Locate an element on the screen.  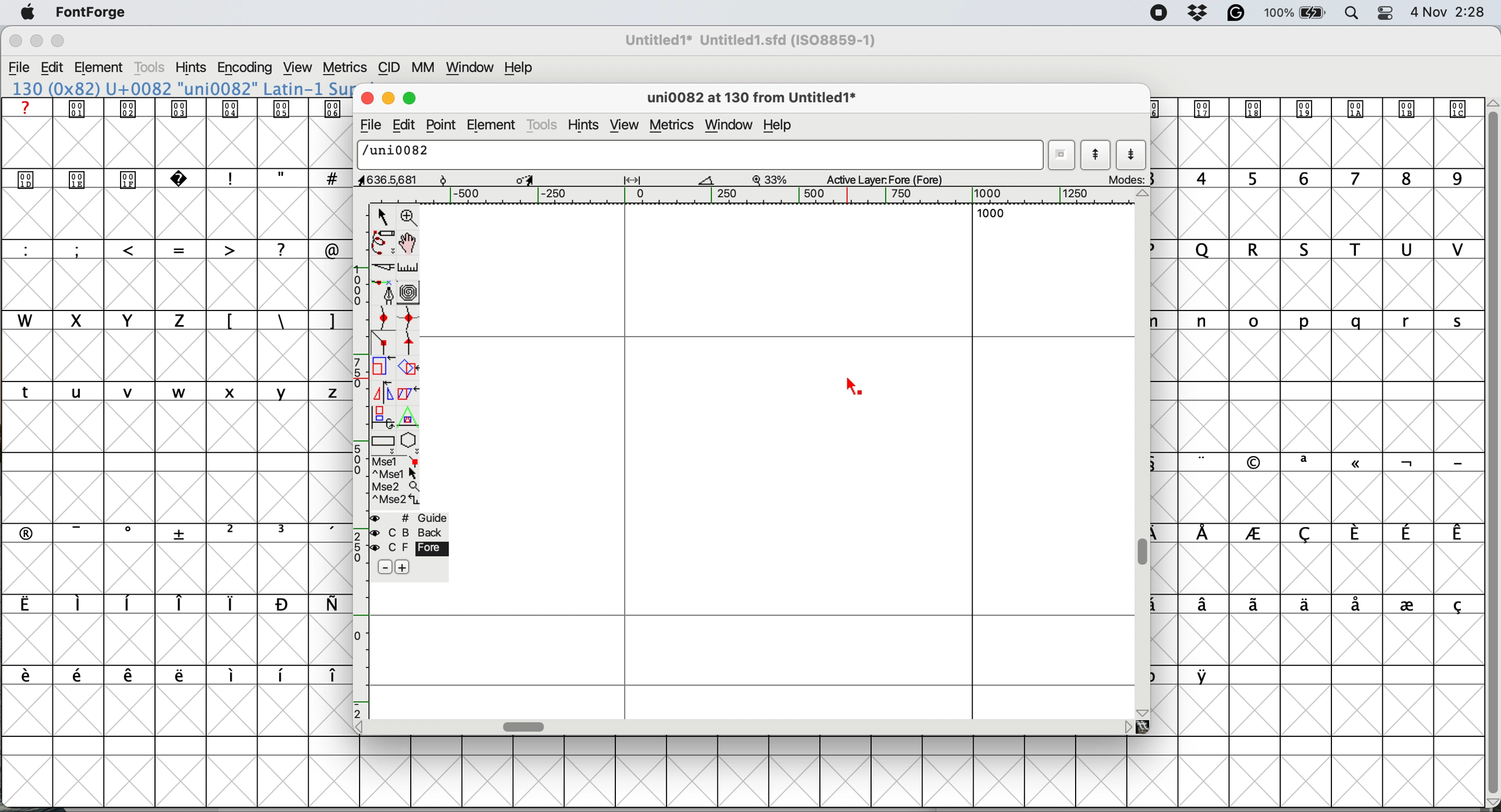
freehand draw is located at coordinates (385, 243).